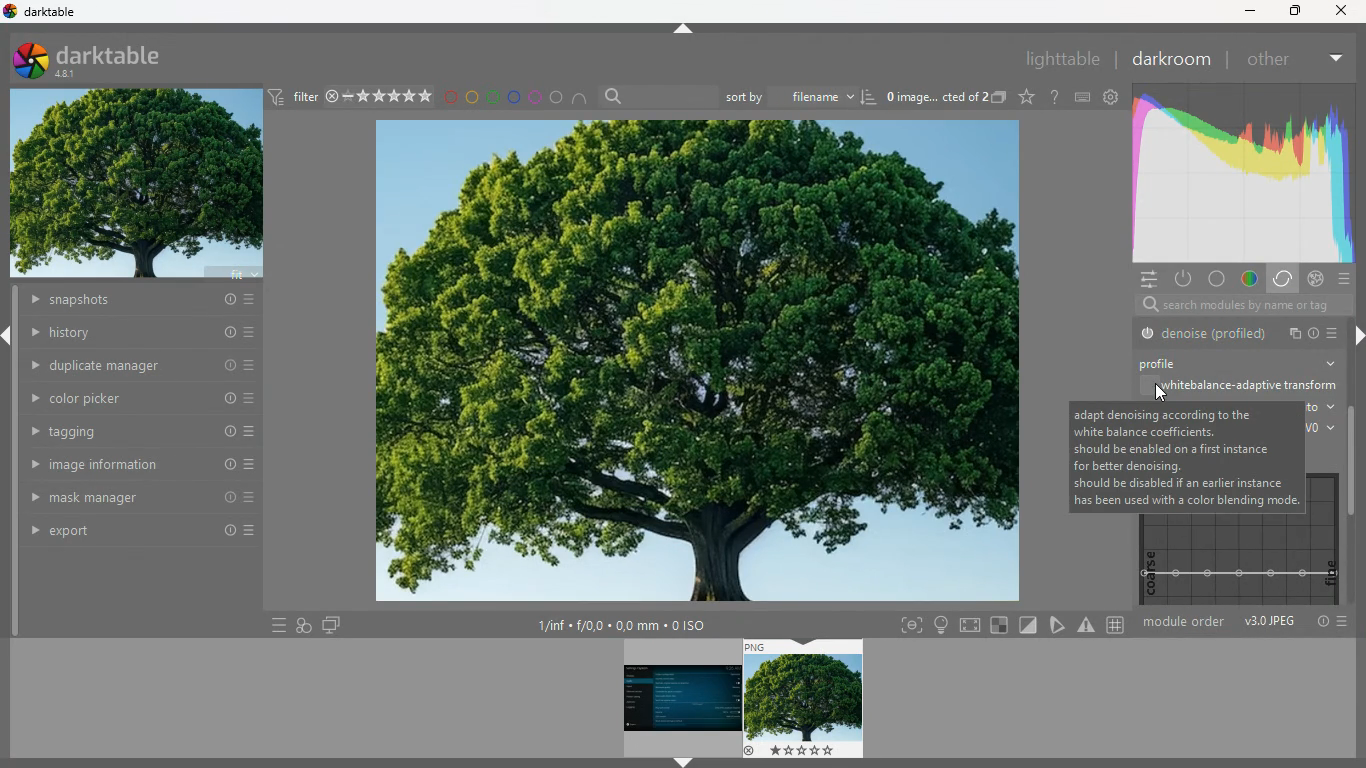 This screenshot has width=1366, height=768. I want to click on image, so click(933, 95).